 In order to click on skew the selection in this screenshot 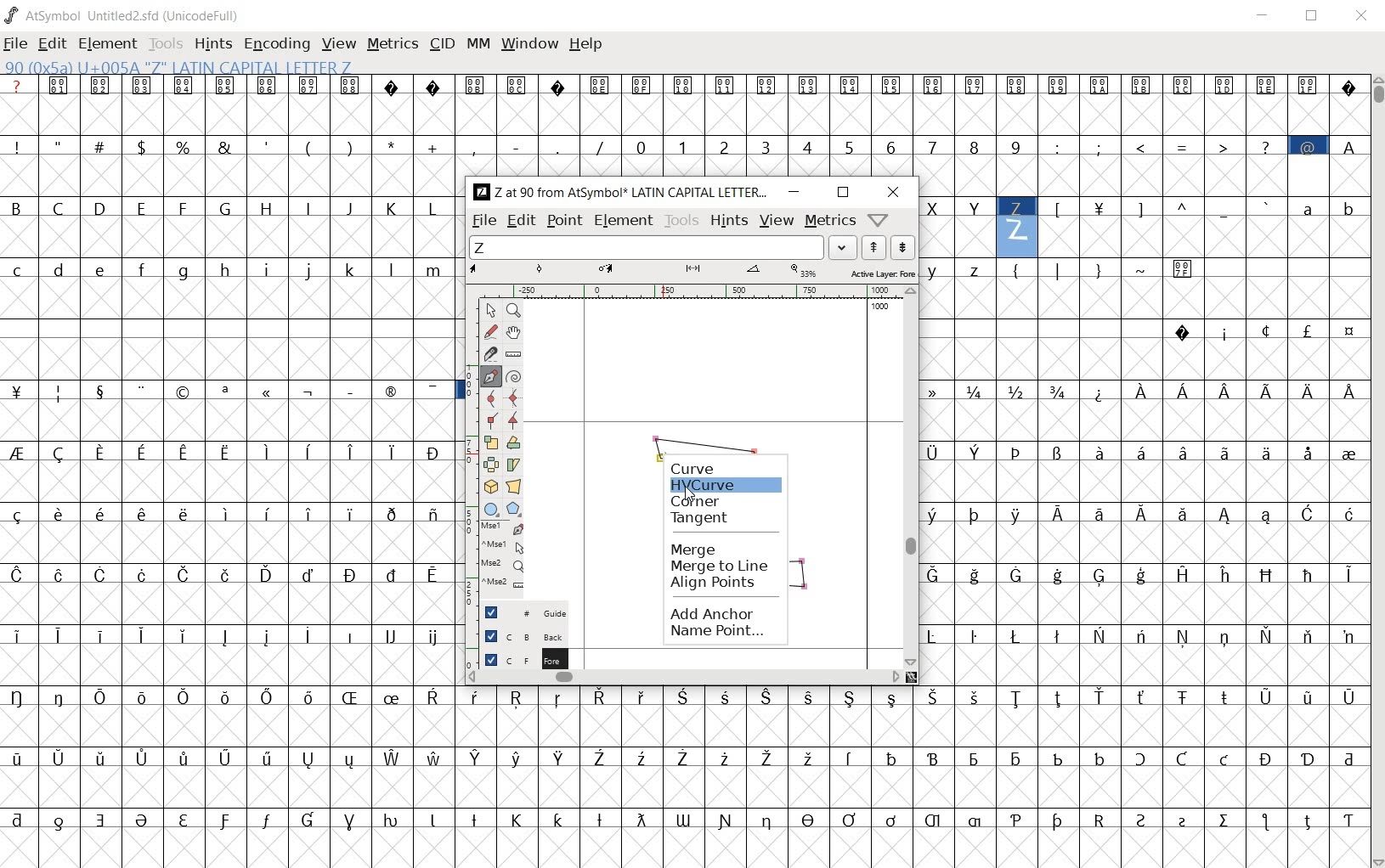, I will do `click(513, 464)`.